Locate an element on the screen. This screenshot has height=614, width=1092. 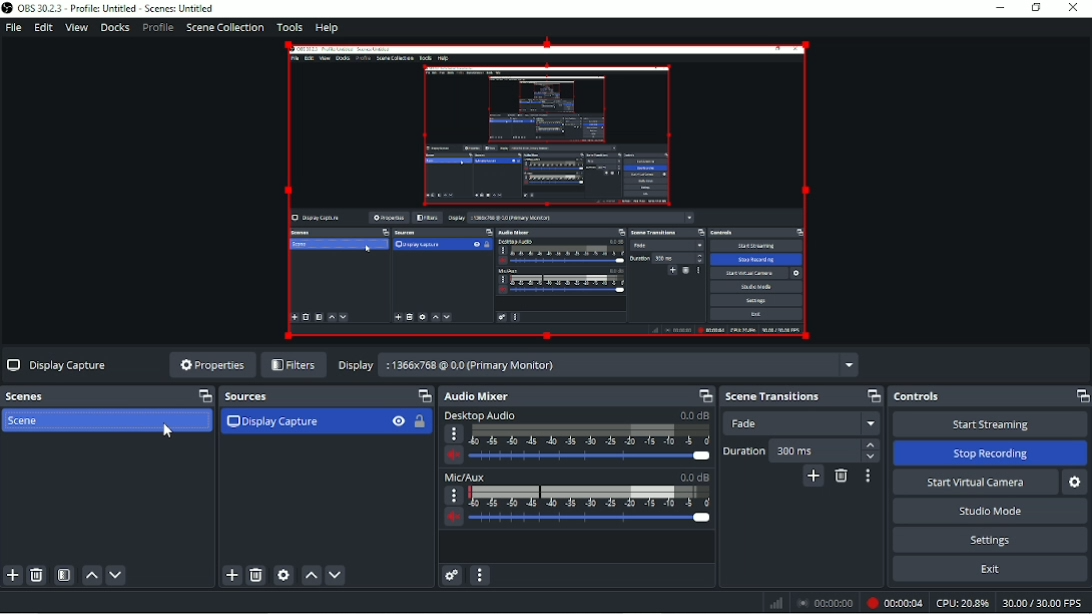
Start streaming is located at coordinates (990, 424).